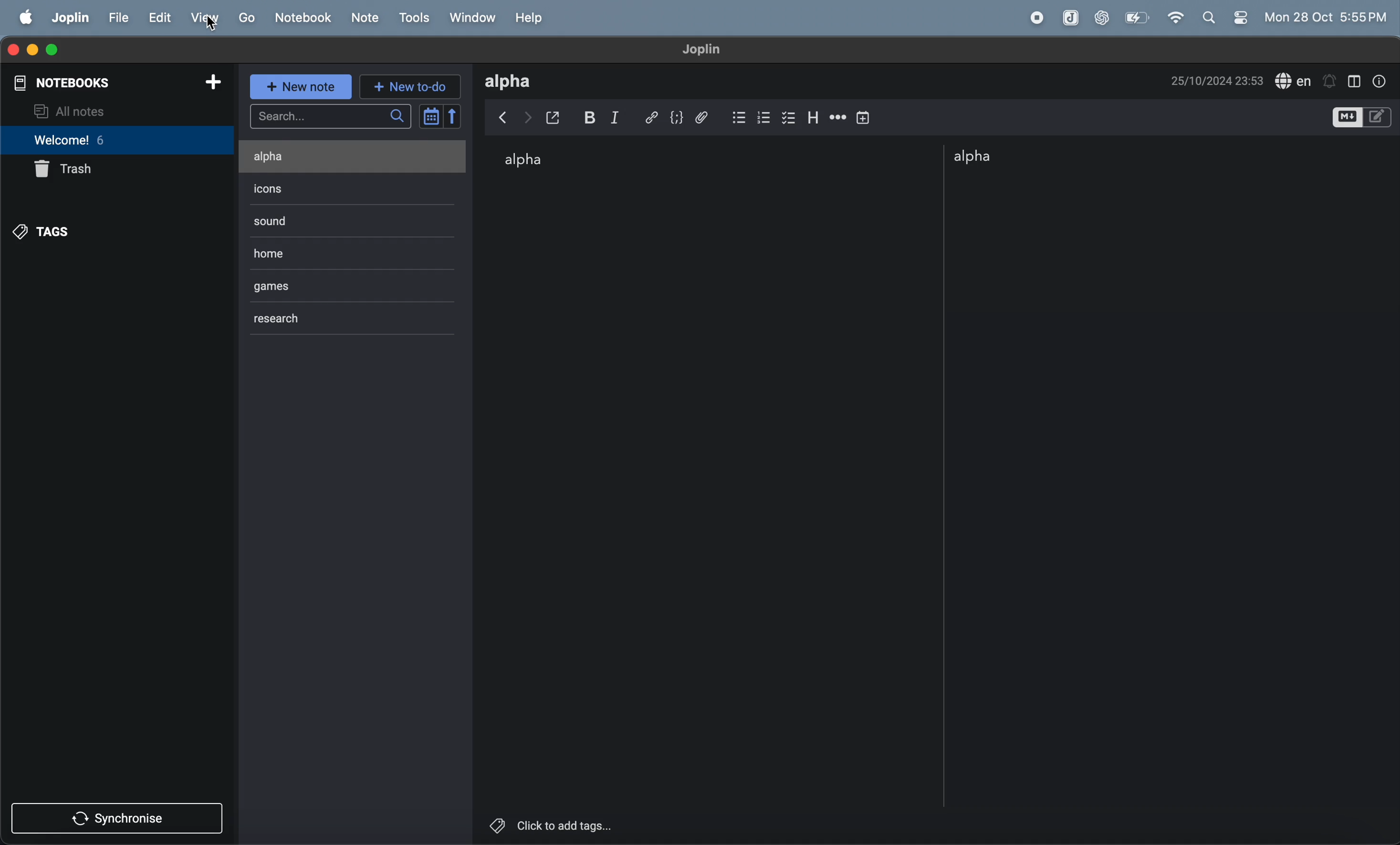 This screenshot has height=845, width=1400. I want to click on apple widgets, so click(1226, 16).